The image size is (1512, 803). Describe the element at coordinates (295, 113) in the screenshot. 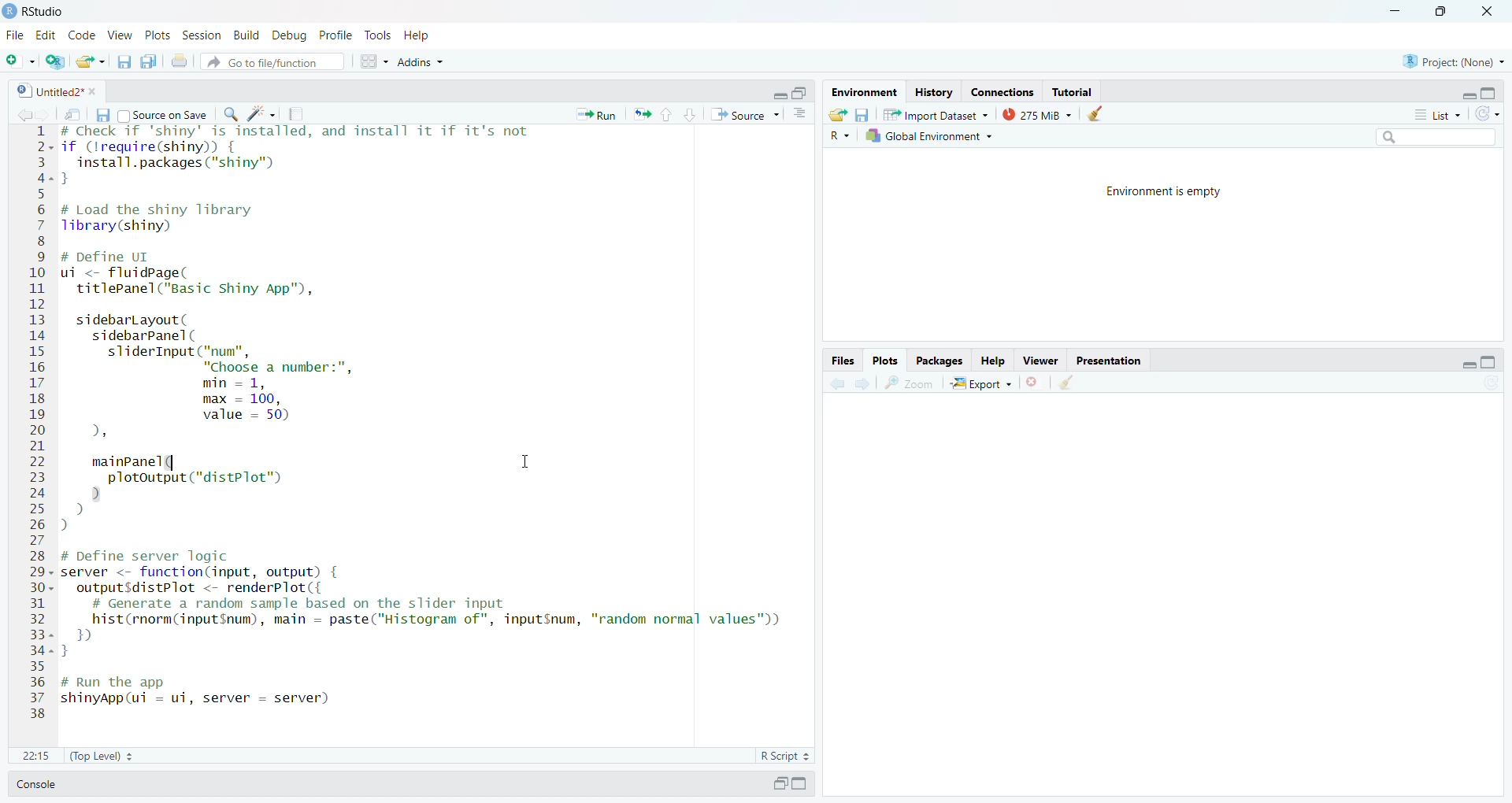

I see `compile report` at that location.